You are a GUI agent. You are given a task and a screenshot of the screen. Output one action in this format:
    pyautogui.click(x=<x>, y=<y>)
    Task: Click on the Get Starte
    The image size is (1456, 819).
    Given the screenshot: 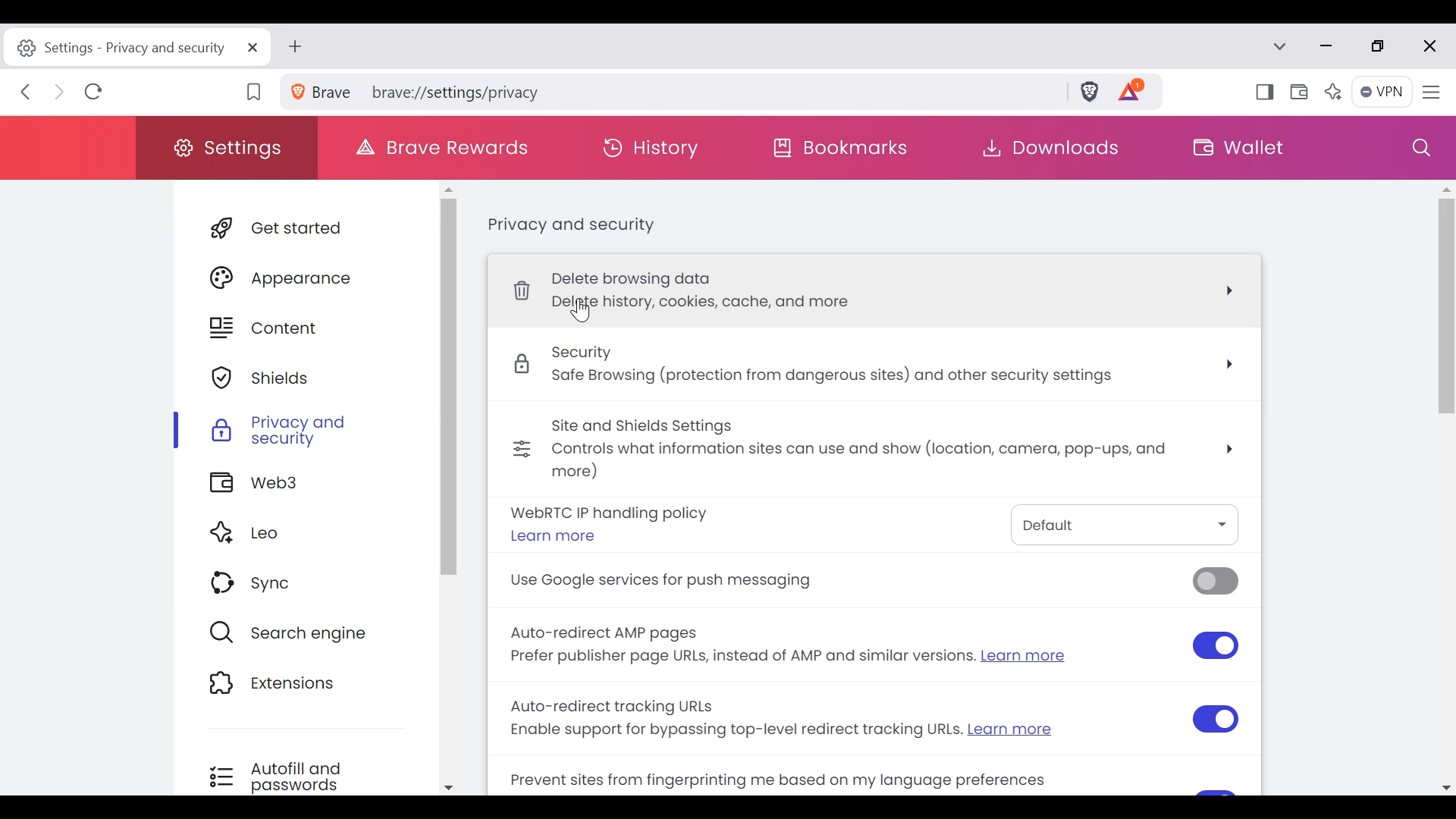 What is the action you would take?
    pyautogui.click(x=307, y=231)
    